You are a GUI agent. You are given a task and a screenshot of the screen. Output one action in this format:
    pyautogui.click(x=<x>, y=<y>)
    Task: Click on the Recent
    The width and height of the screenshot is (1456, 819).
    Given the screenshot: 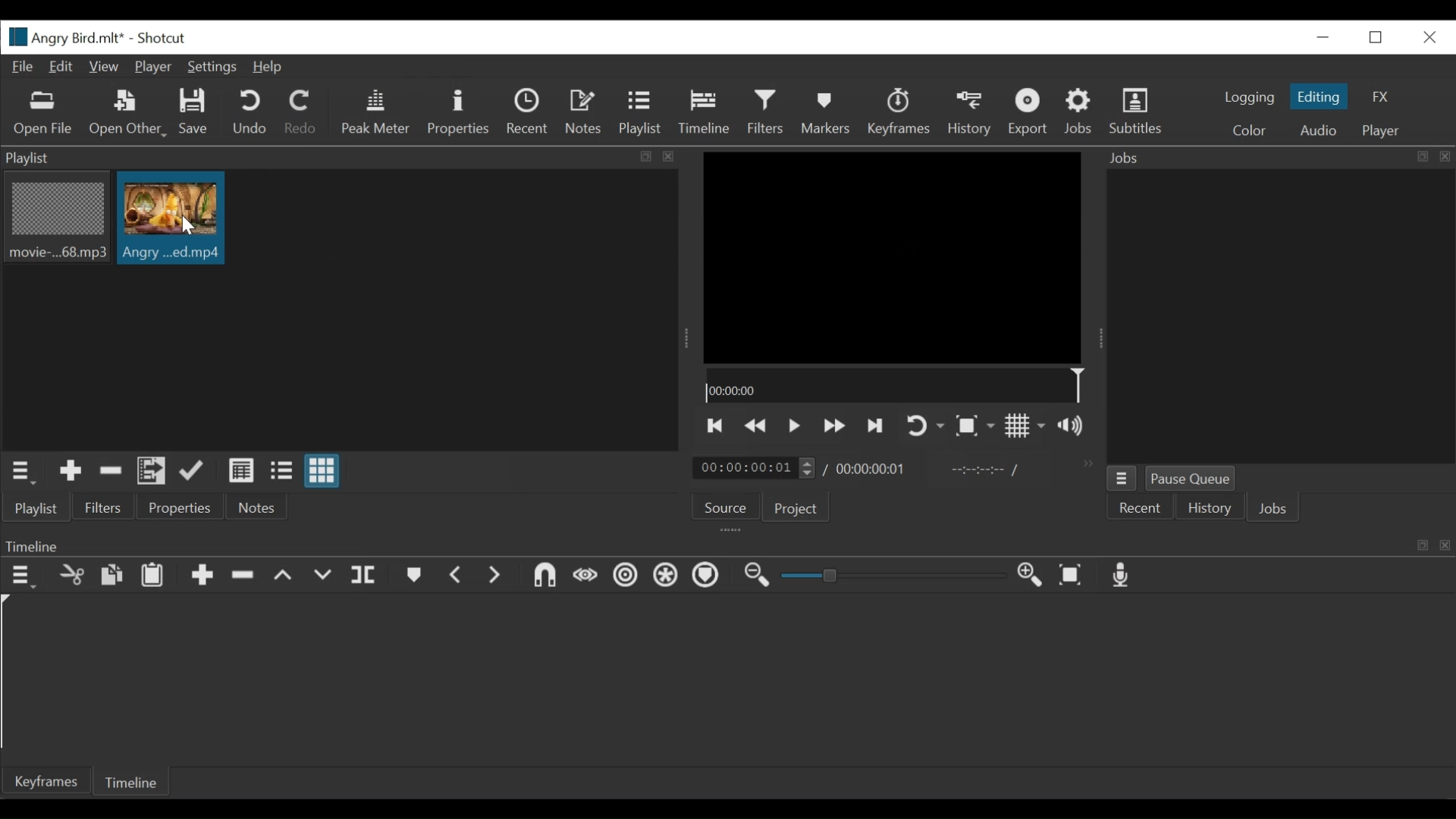 What is the action you would take?
    pyautogui.click(x=529, y=114)
    